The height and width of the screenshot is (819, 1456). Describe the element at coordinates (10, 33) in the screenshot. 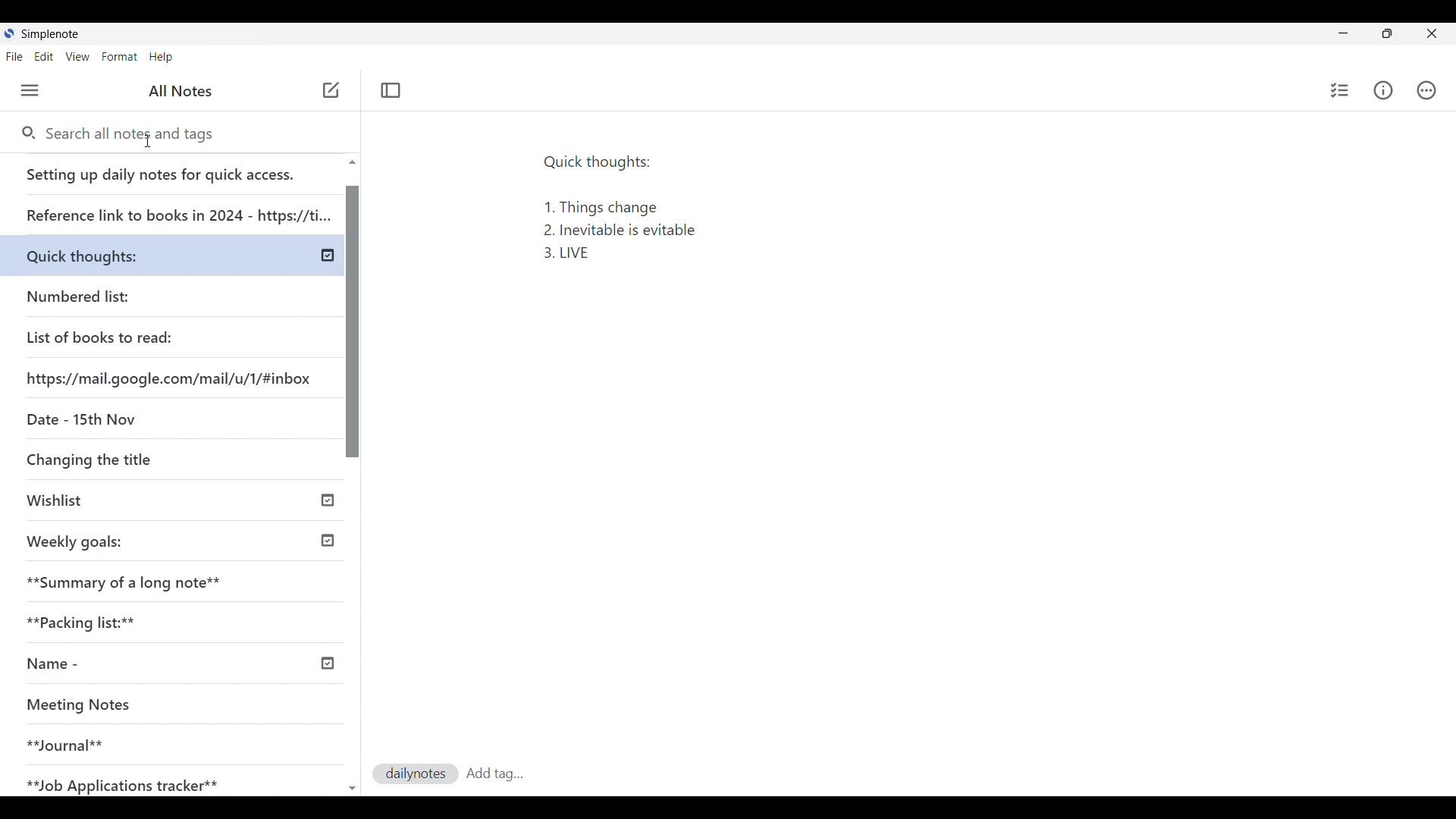

I see `Software logo` at that location.